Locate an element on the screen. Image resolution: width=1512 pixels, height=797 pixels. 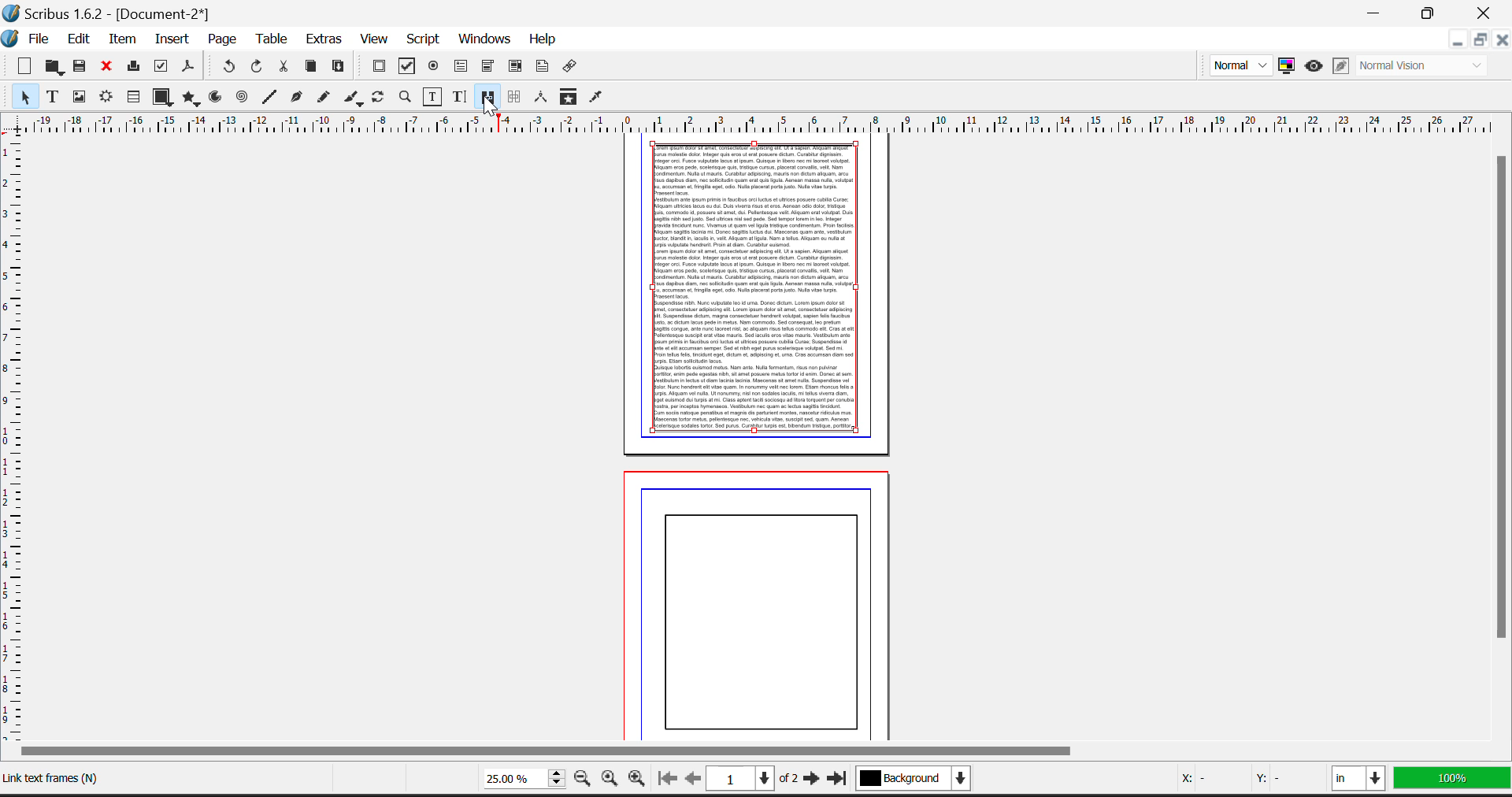
Close is located at coordinates (1501, 40).